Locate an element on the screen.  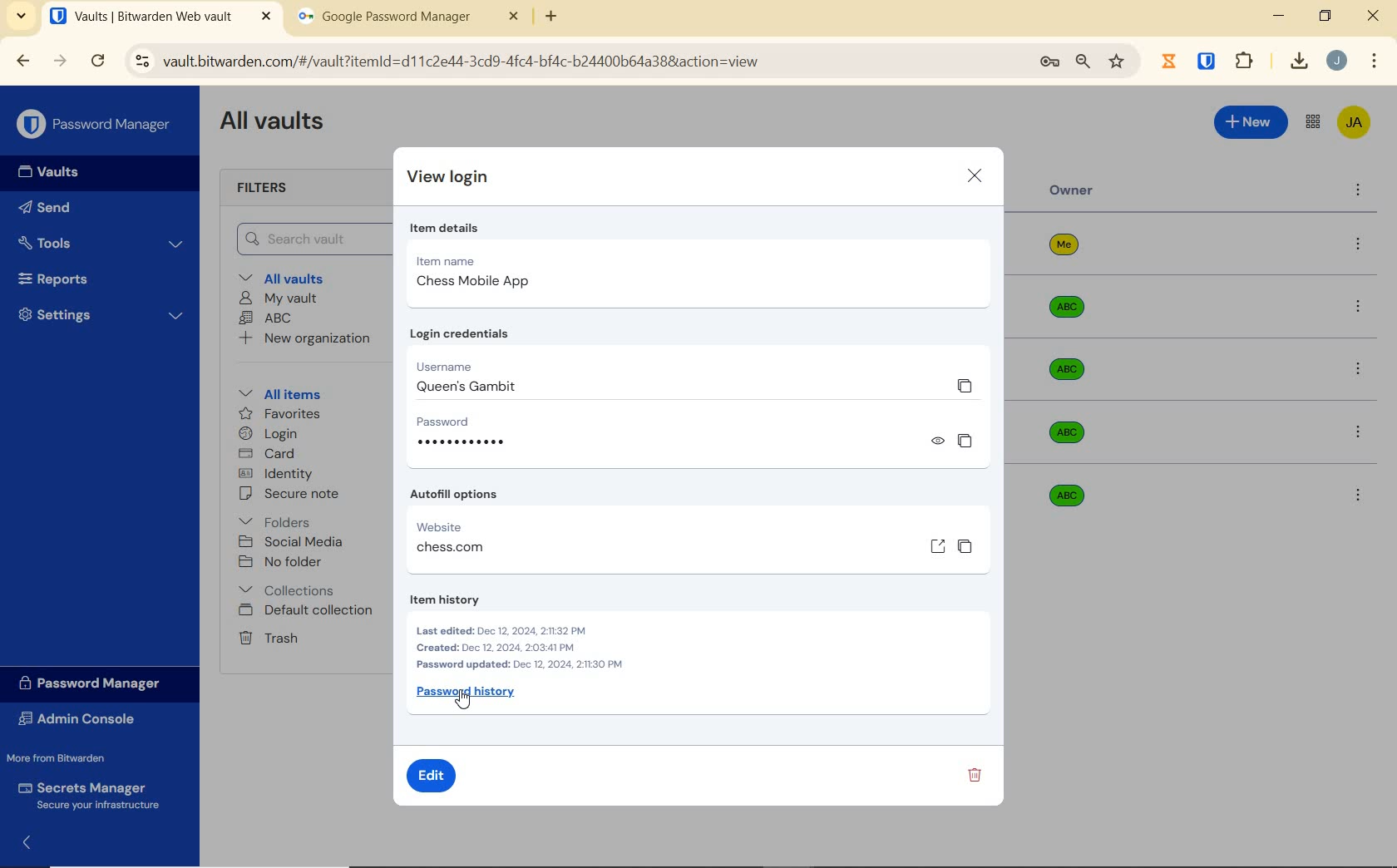
Admin Console is located at coordinates (86, 721).